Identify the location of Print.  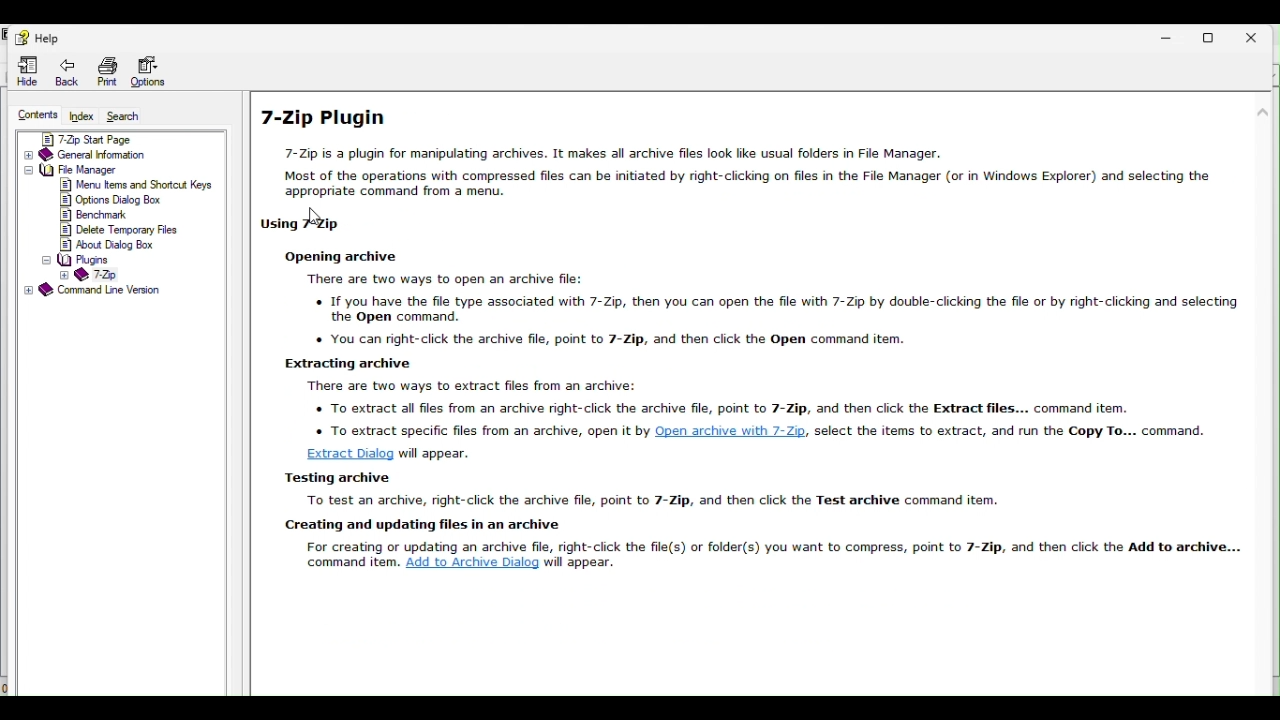
(107, 69).